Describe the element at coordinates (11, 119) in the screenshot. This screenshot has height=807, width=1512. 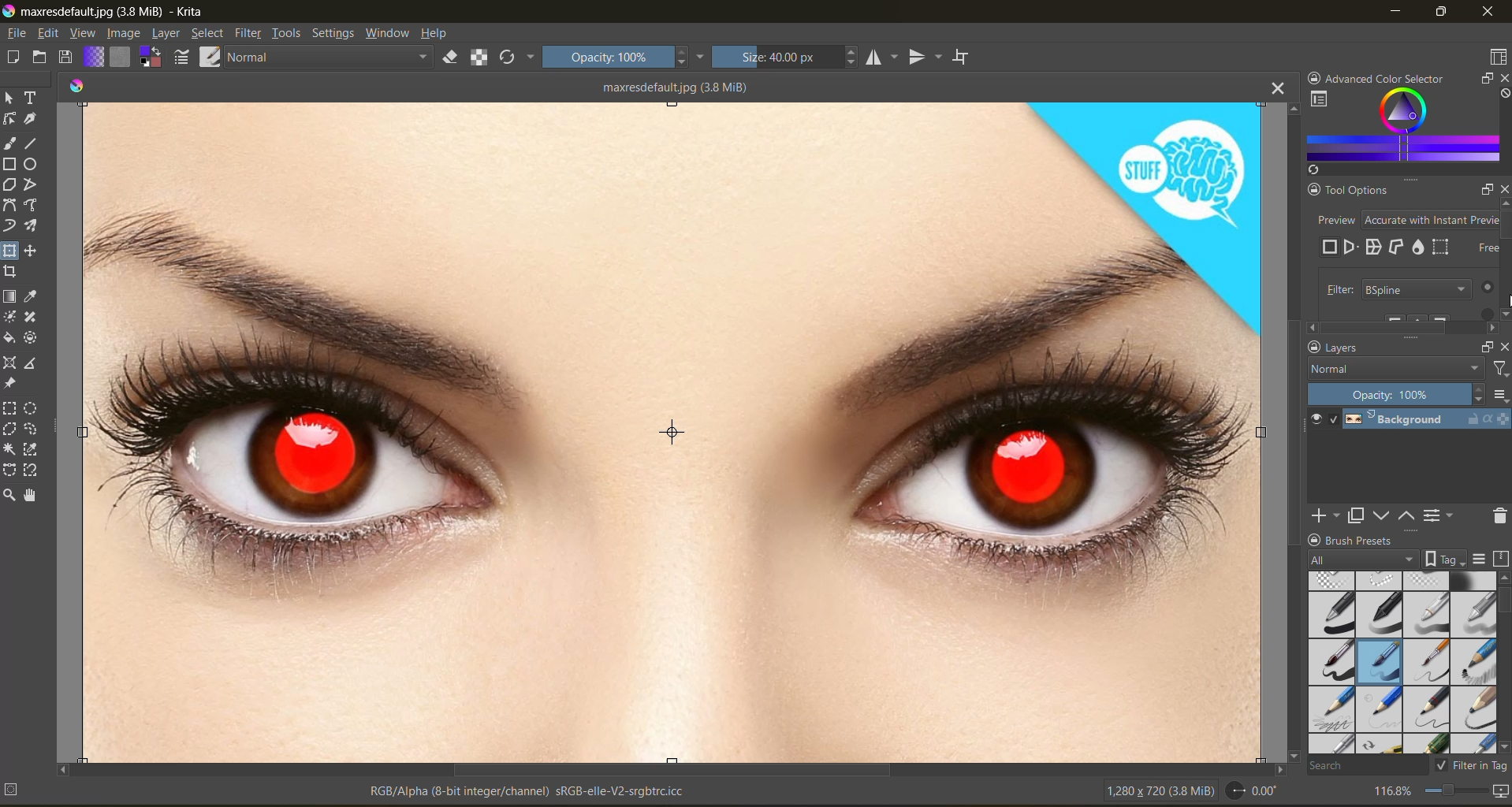
I see `tool` at that location.